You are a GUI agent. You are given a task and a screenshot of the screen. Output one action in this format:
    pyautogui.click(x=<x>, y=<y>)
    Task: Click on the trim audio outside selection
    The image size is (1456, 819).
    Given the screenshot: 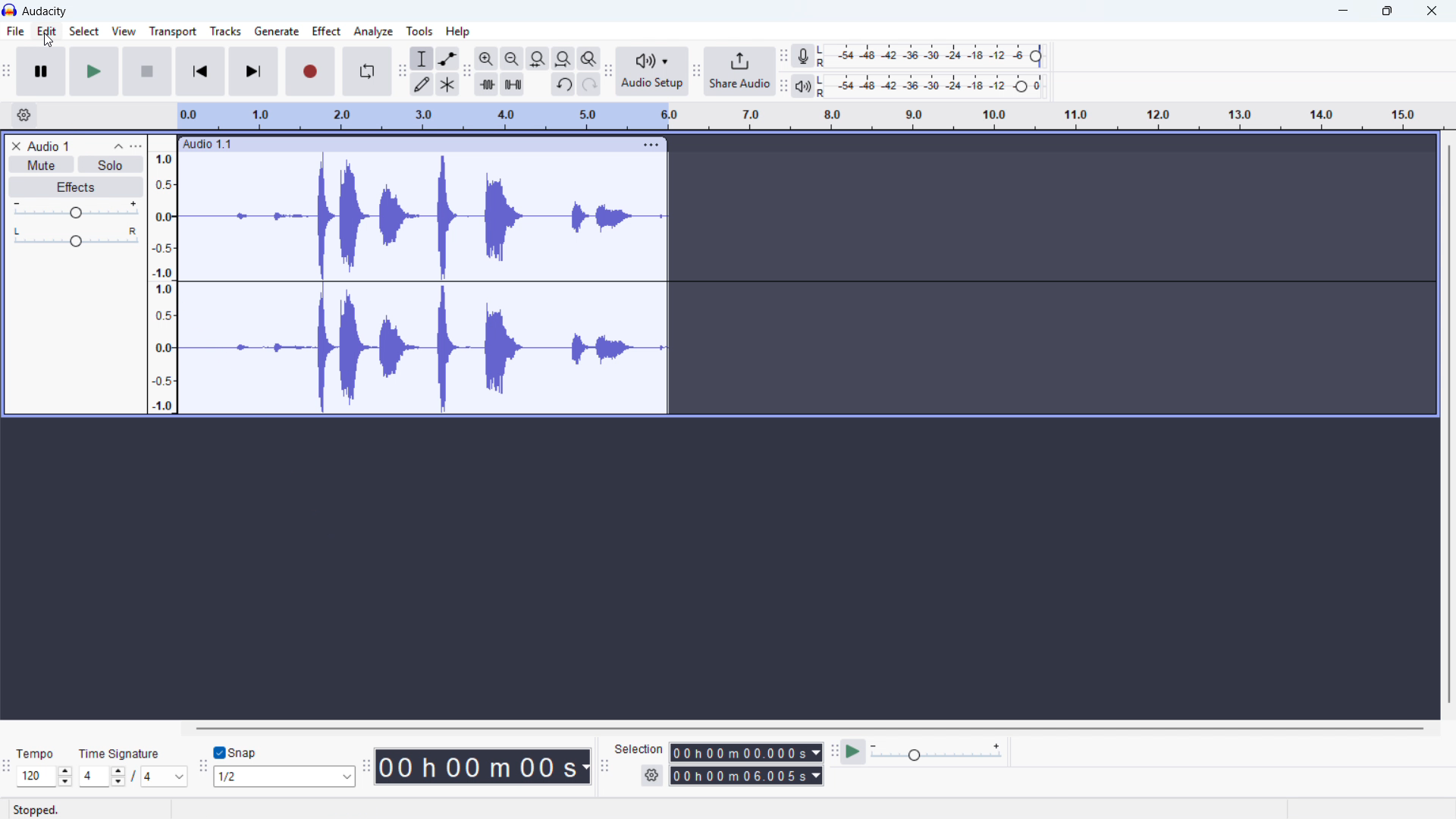 What is the action you would take?
    pyautogui.click(x=488, y=85)
    